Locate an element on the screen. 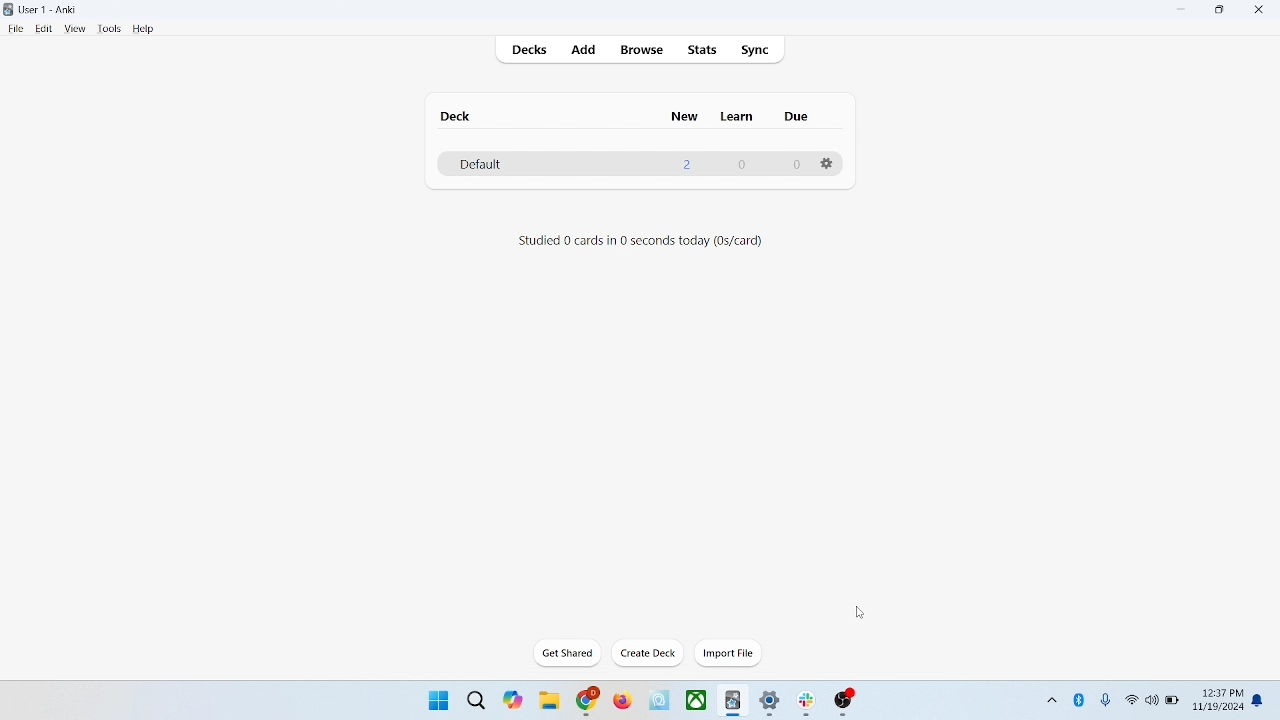 This screenshot has height=720, width=1280. deck is located at coordinates (458, 116).